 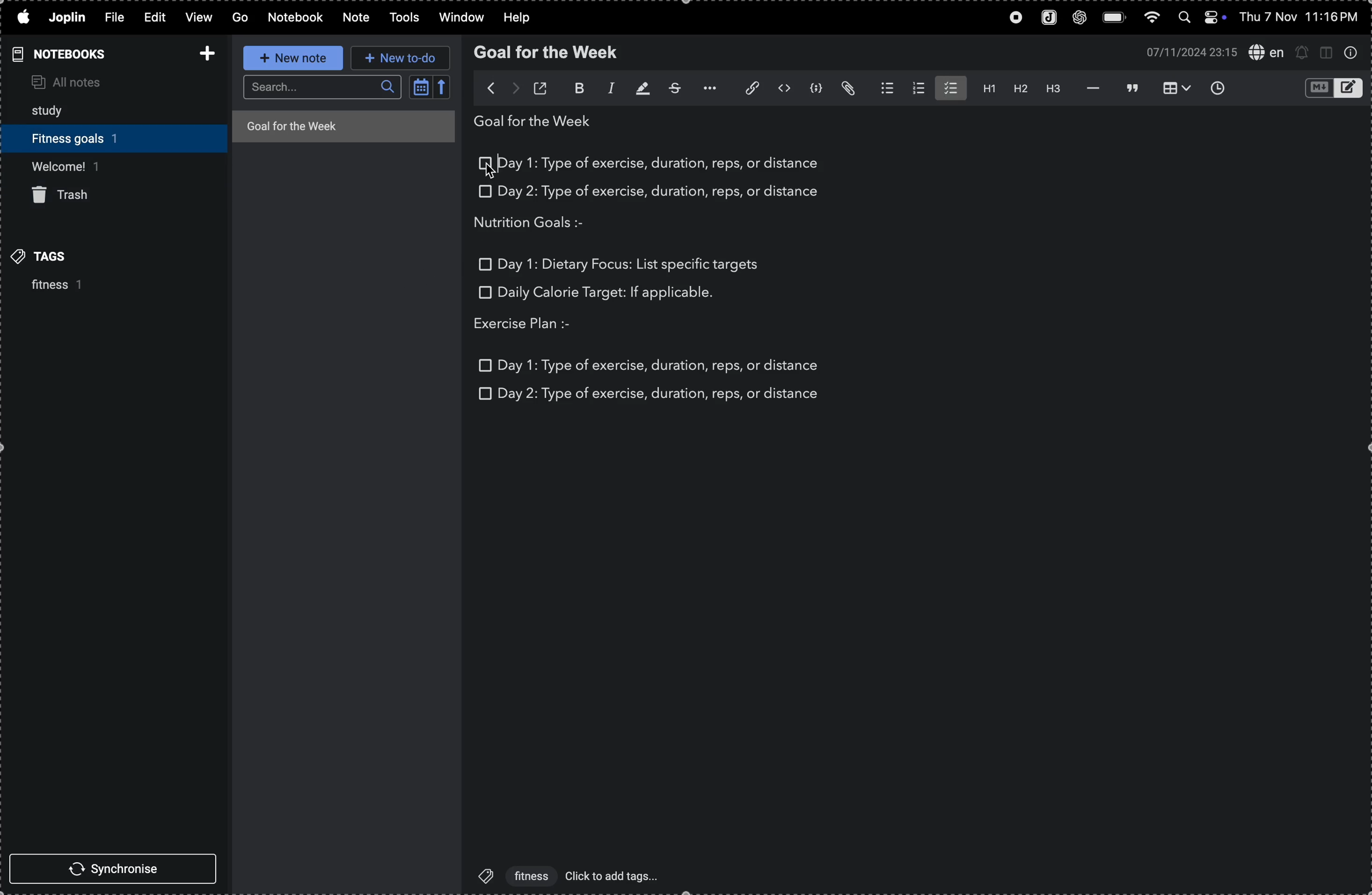 I want to click on checkbox, so click(x=484, y=393).